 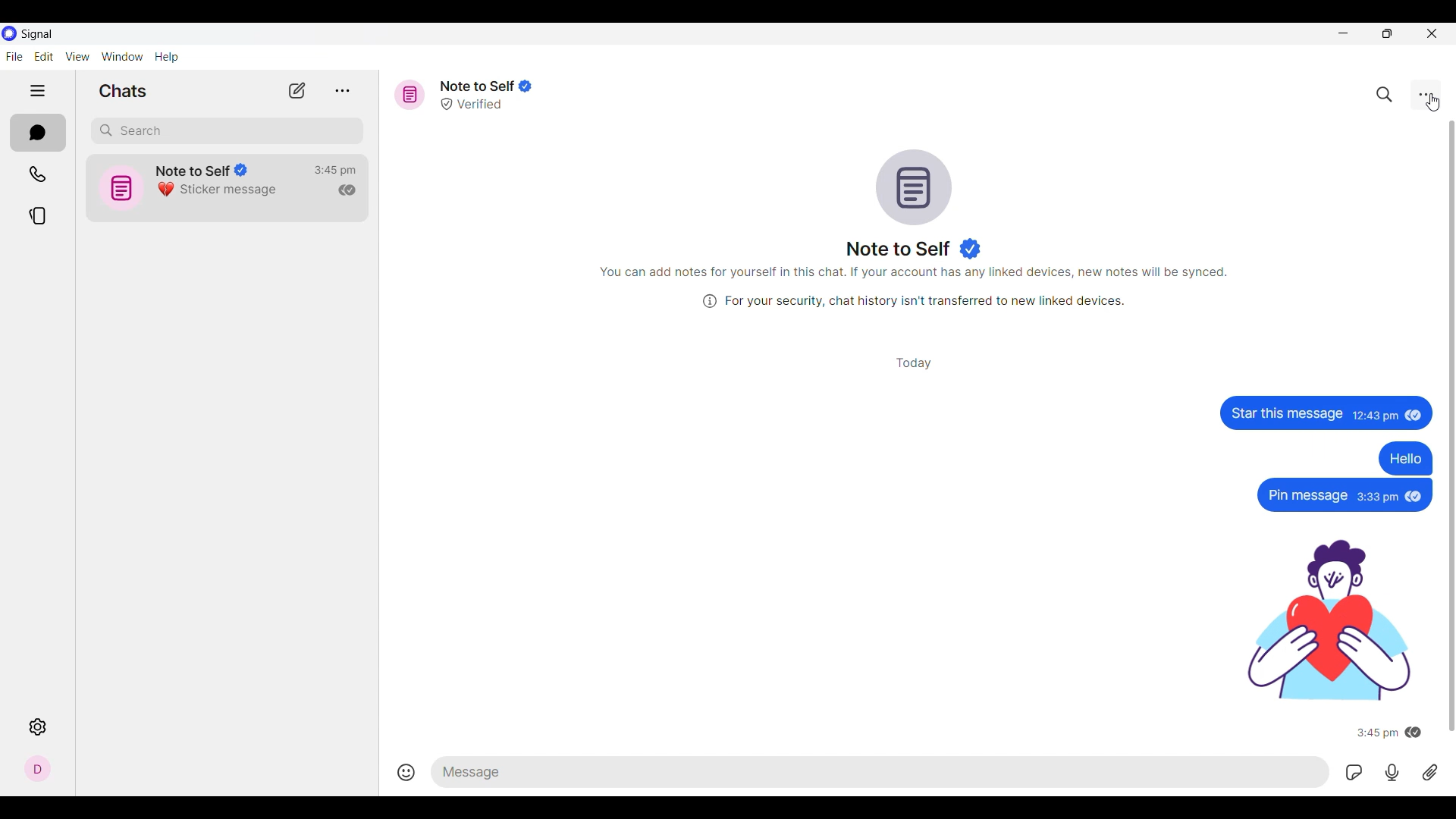 What do you see at coordinates (1342, 33) in the screenshot?
I see `Minimize` at bounding box center [1342, 33].